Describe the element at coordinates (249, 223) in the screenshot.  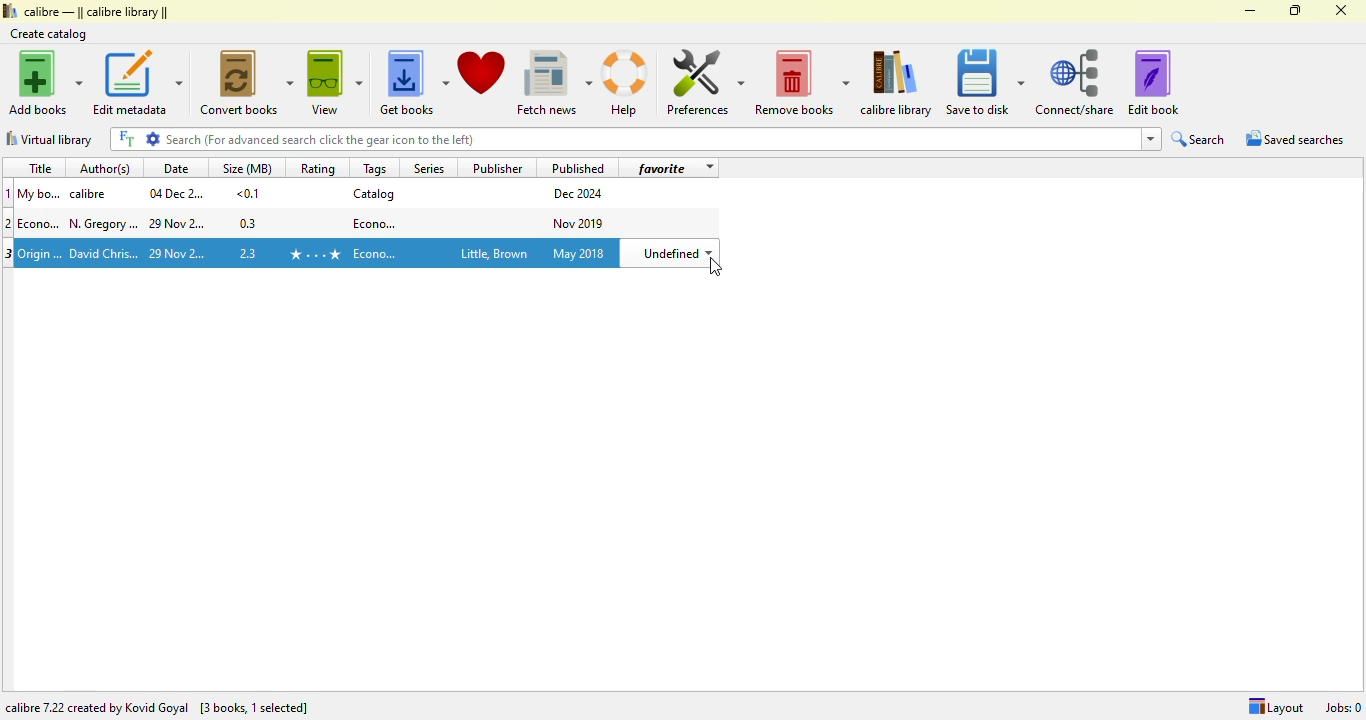
I see `size` at that location.